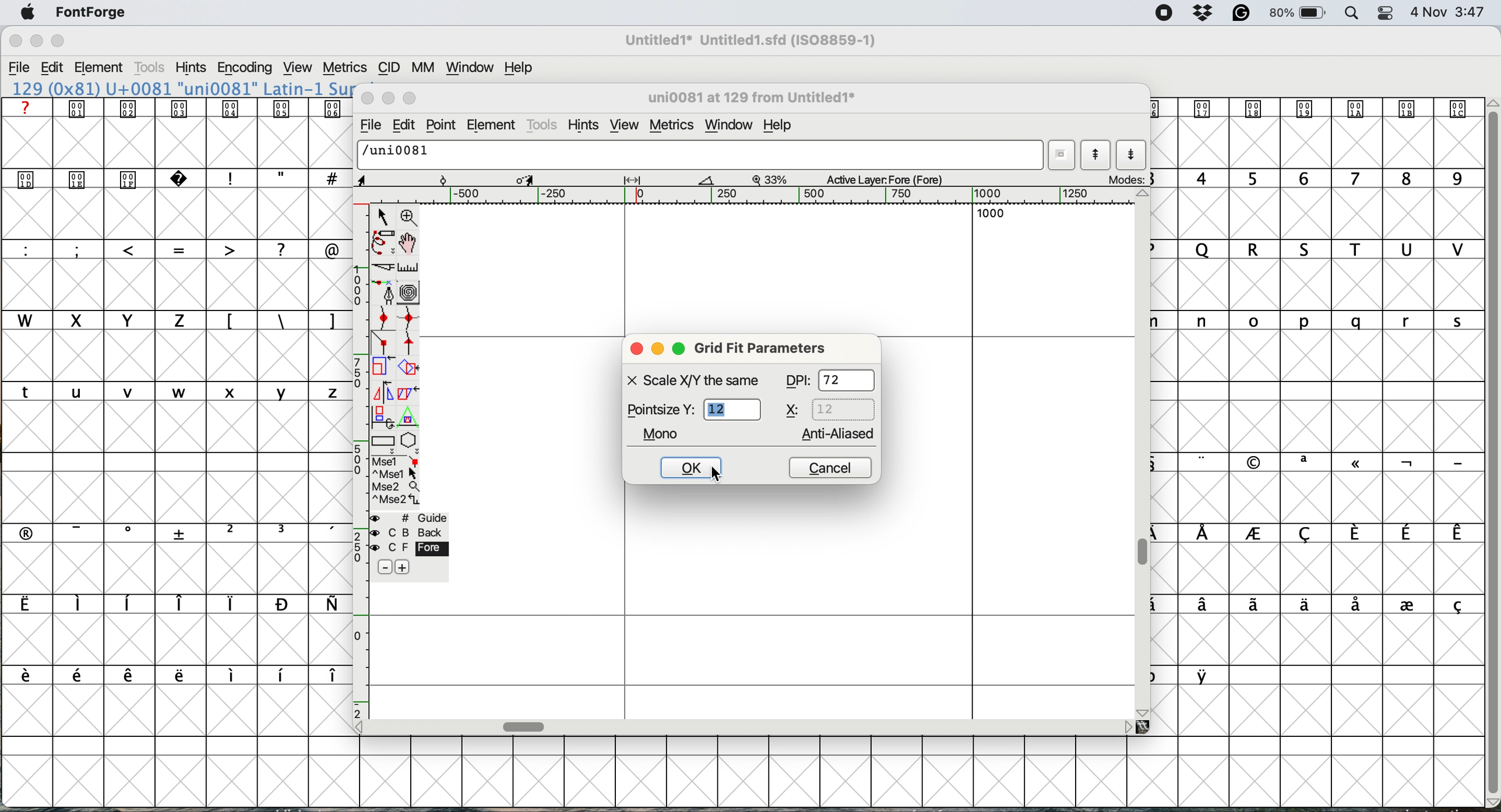 The height and width of the screenshot is (812, 1501). I want to click on Dropbox Status Icon, so click(1204, 13).